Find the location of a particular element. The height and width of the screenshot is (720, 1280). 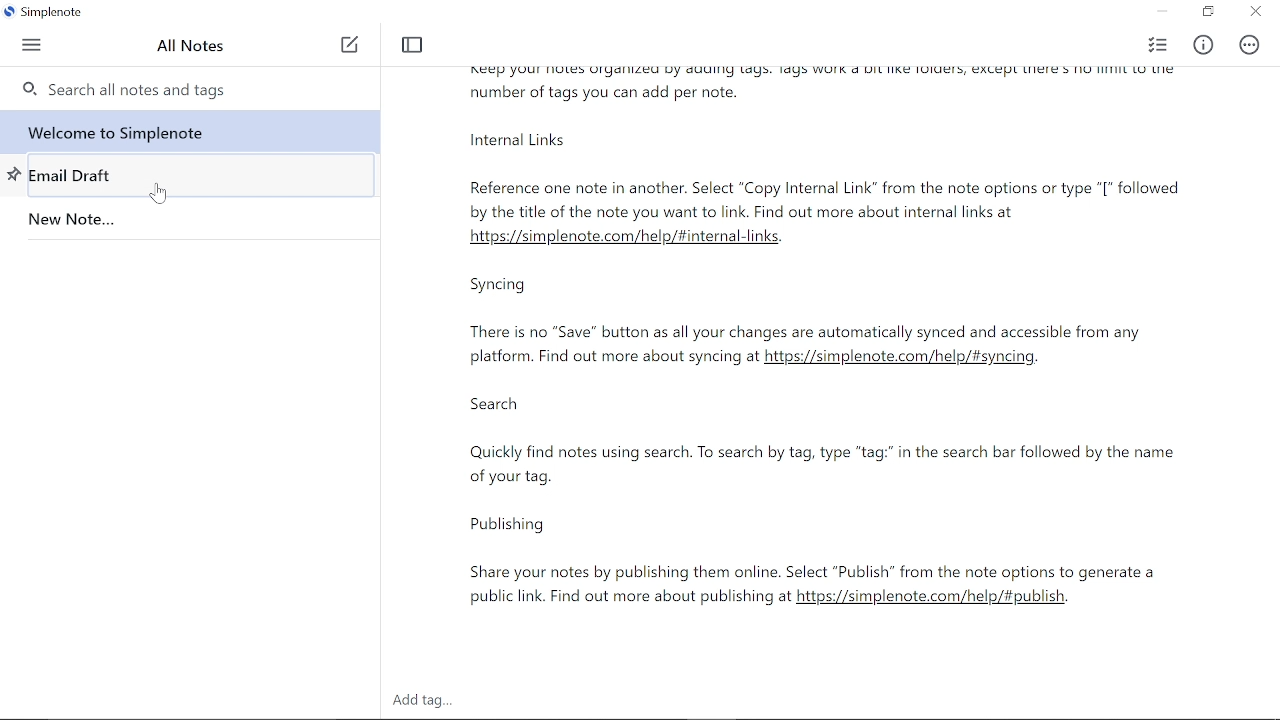

All notes is located at coordinates (217, 46).